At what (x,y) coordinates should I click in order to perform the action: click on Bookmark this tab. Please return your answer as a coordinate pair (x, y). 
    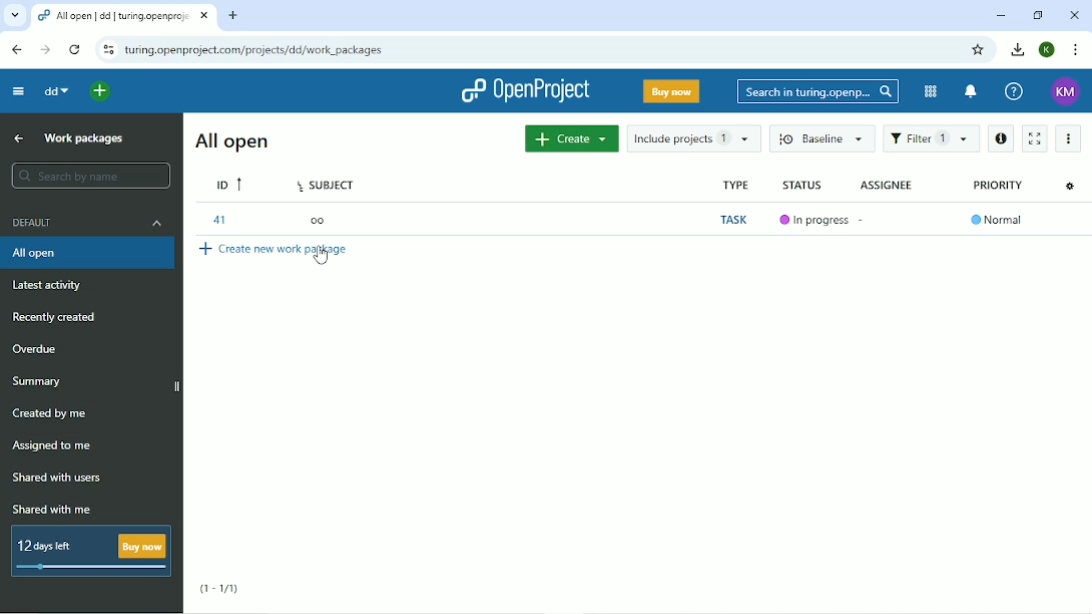
    Looking at the image, I should click on (979, 50).